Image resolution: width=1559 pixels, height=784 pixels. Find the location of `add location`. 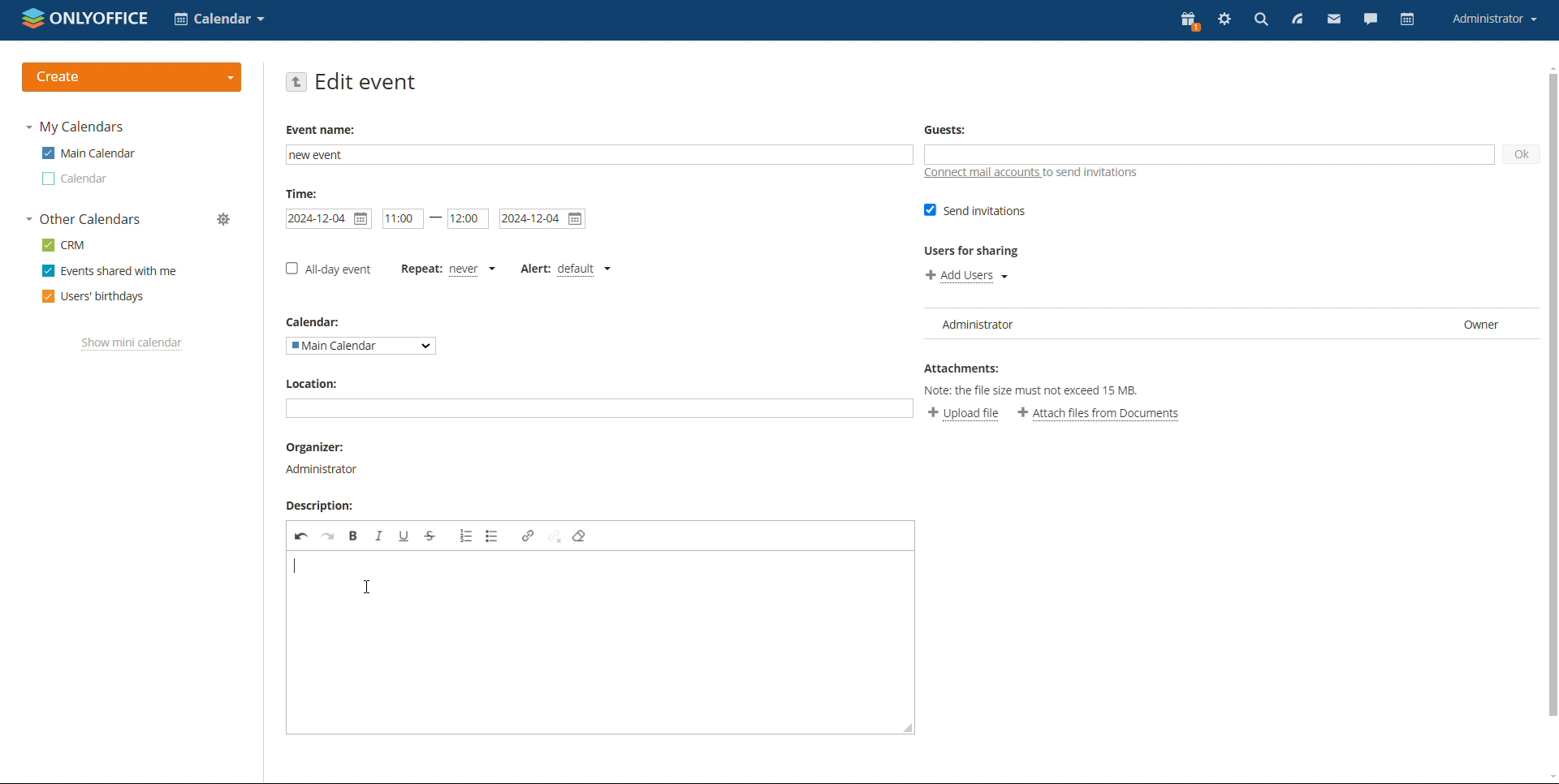

add location is located at coordinates (599, 408).